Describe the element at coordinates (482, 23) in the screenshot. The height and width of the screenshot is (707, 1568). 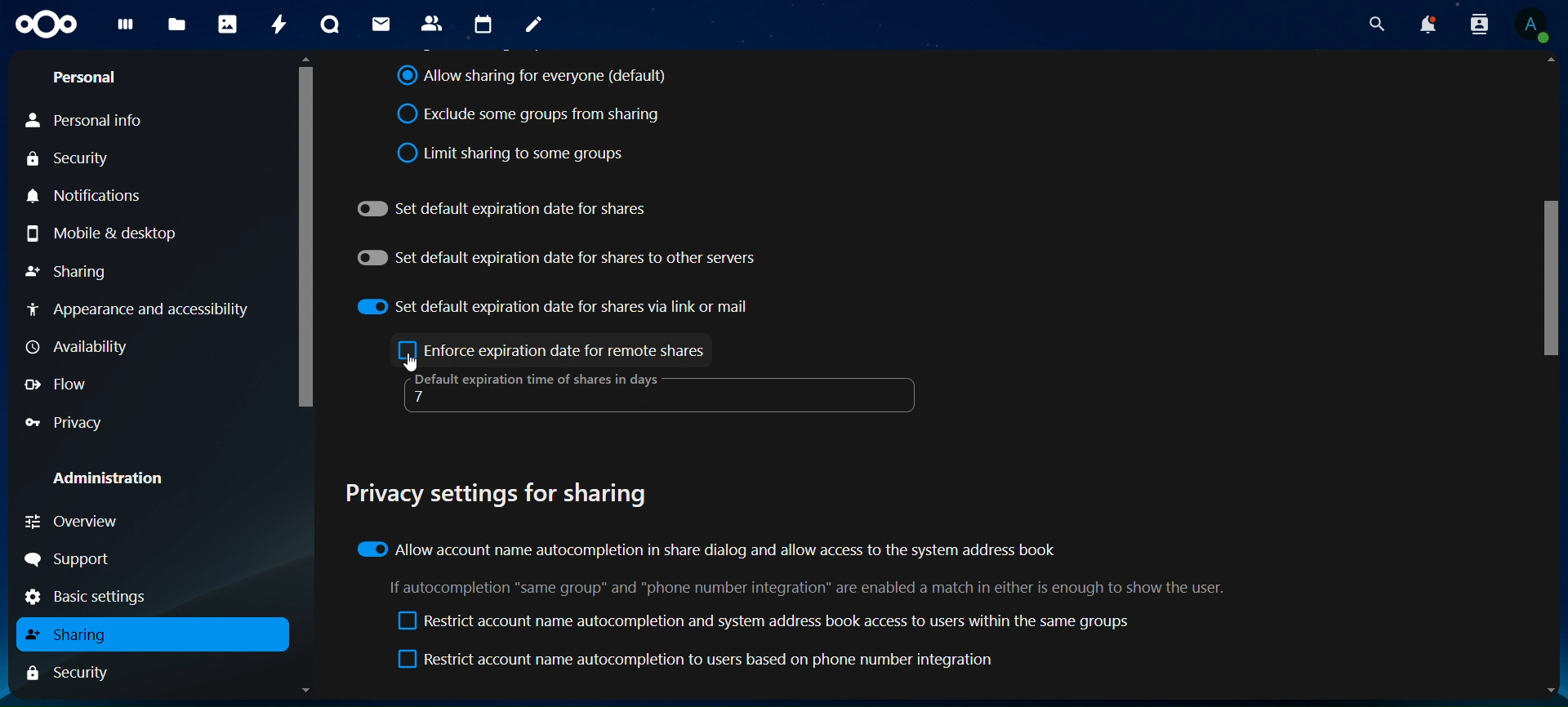
I see `calendar` at that location.